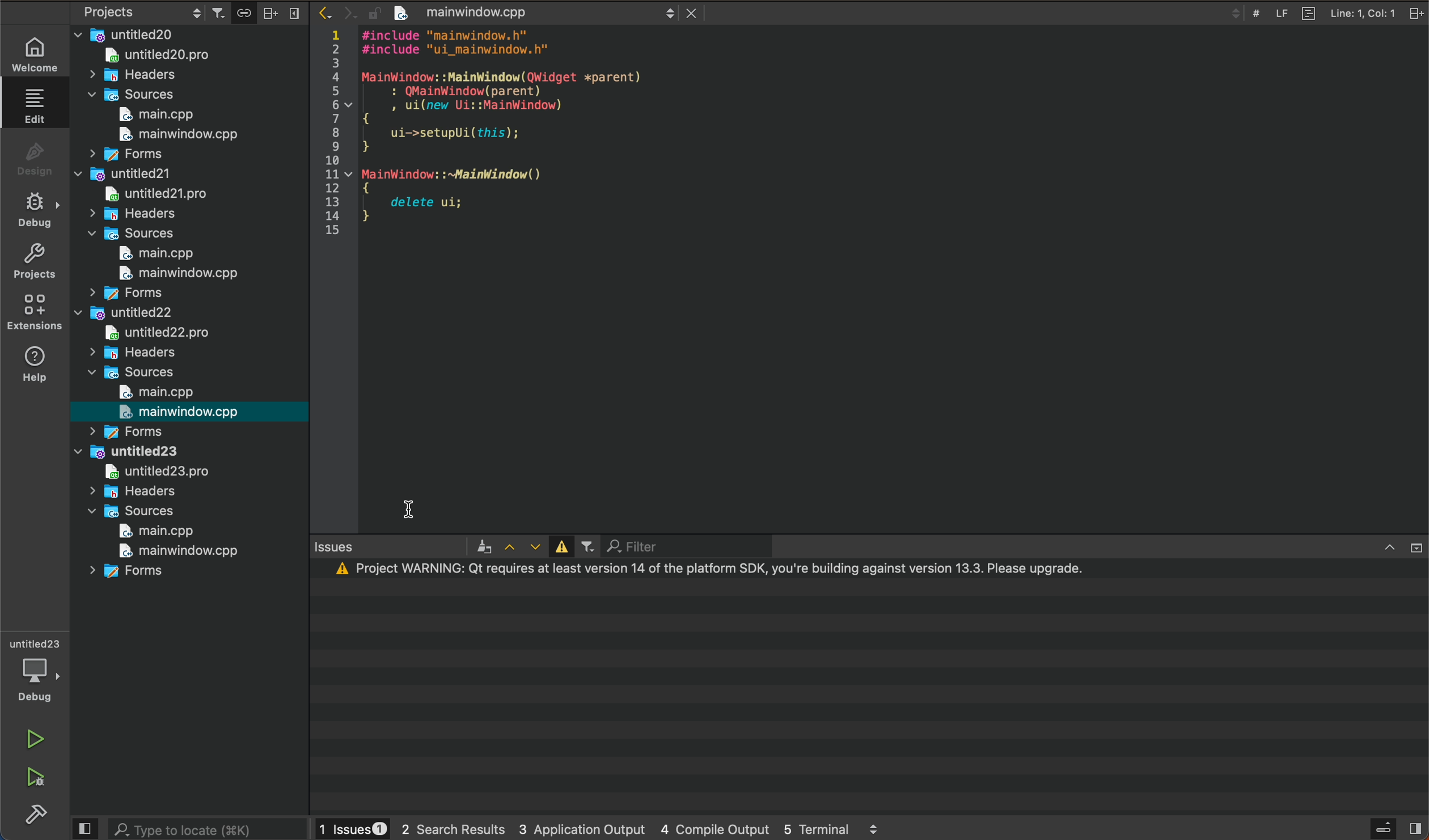 Image resolution: width=1429 pixels, height=840 pixels. I want to click on untitled22pro, so click(169, 332).